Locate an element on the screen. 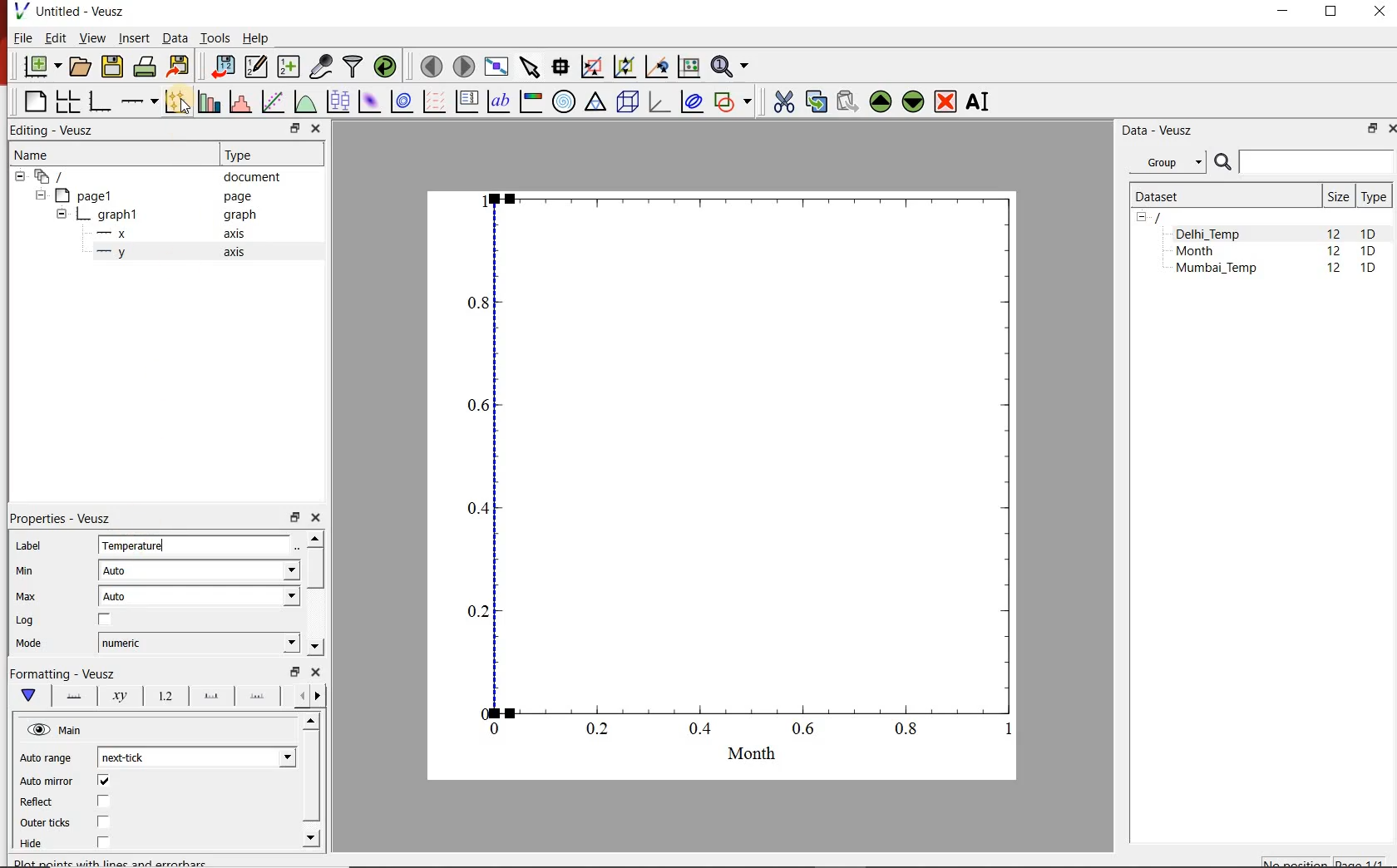  plot a function is located at coordinates (305, 101).